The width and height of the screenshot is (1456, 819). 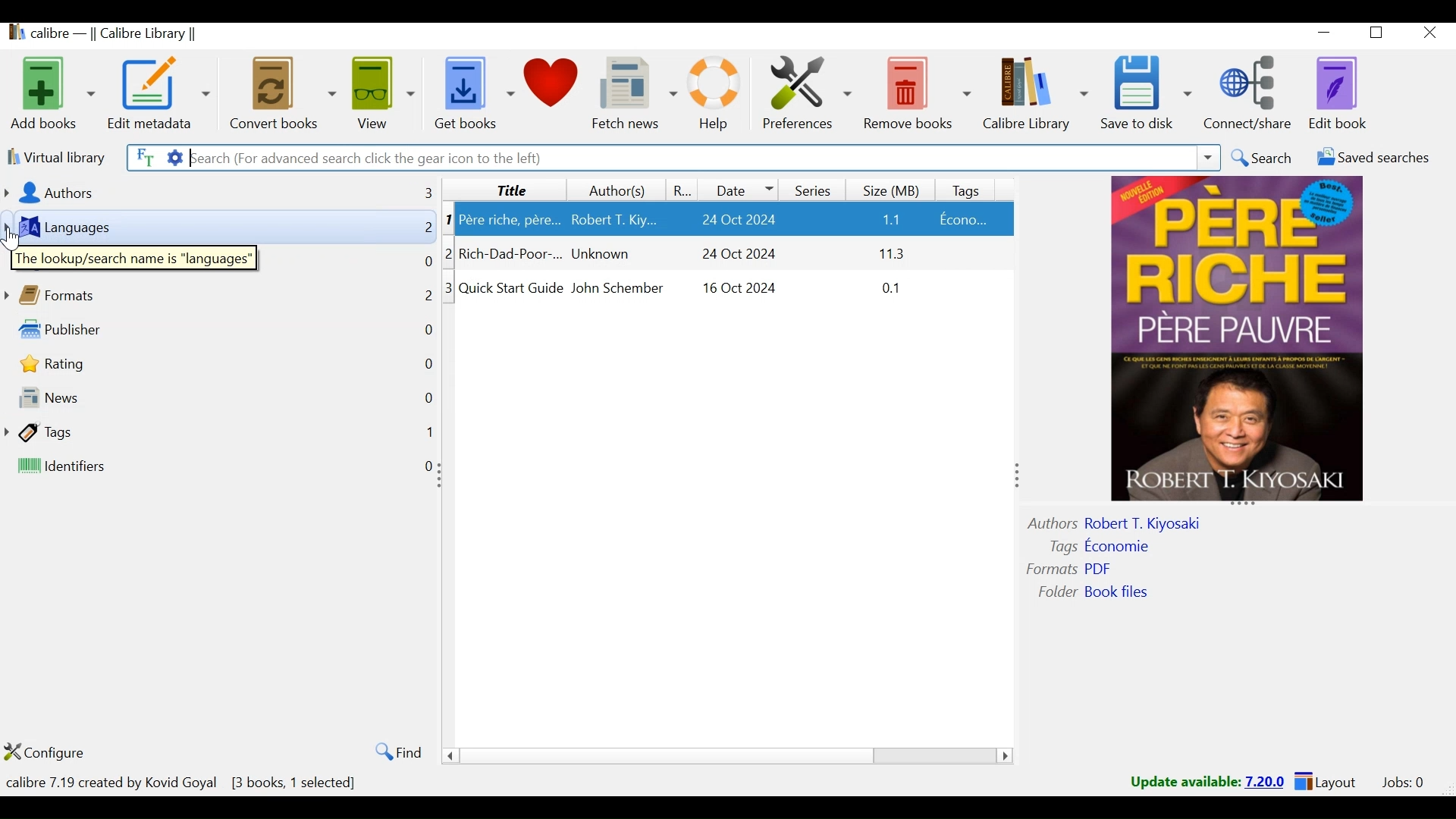 I want to click on Edit book, so click(x=1341, y=93).